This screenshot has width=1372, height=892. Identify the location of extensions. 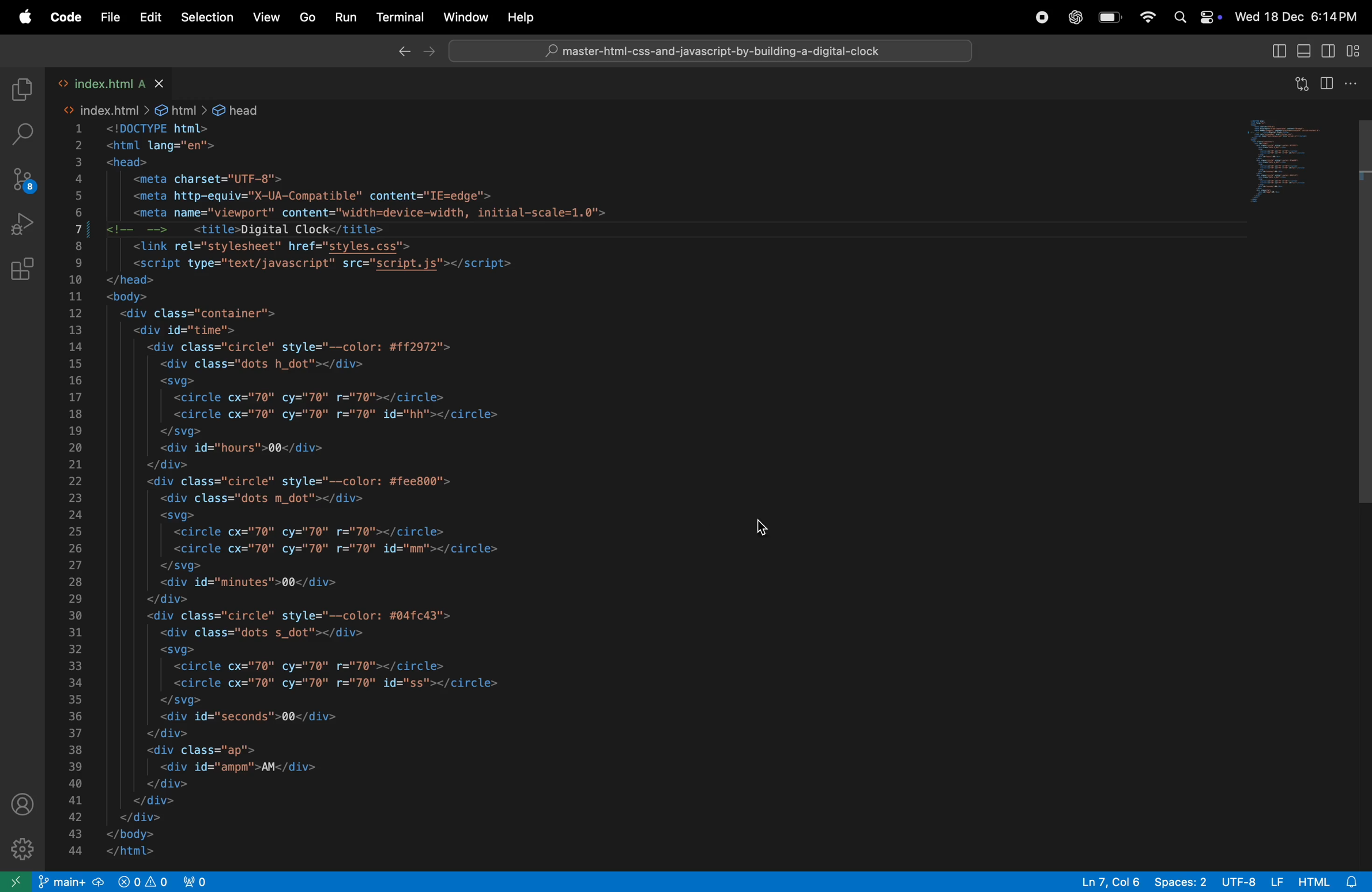
(24, 272).